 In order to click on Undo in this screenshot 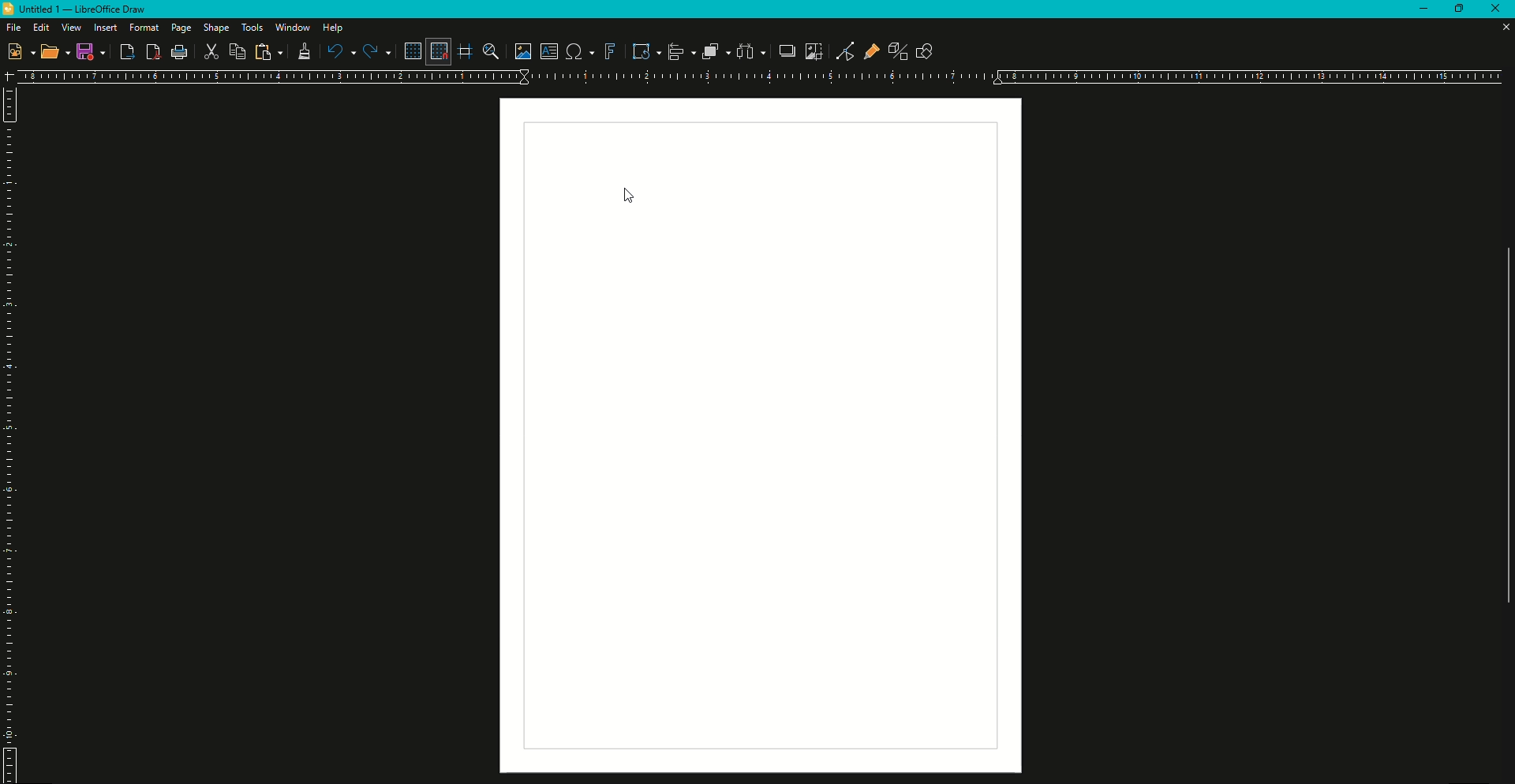, I will do `click(339, 52)`.